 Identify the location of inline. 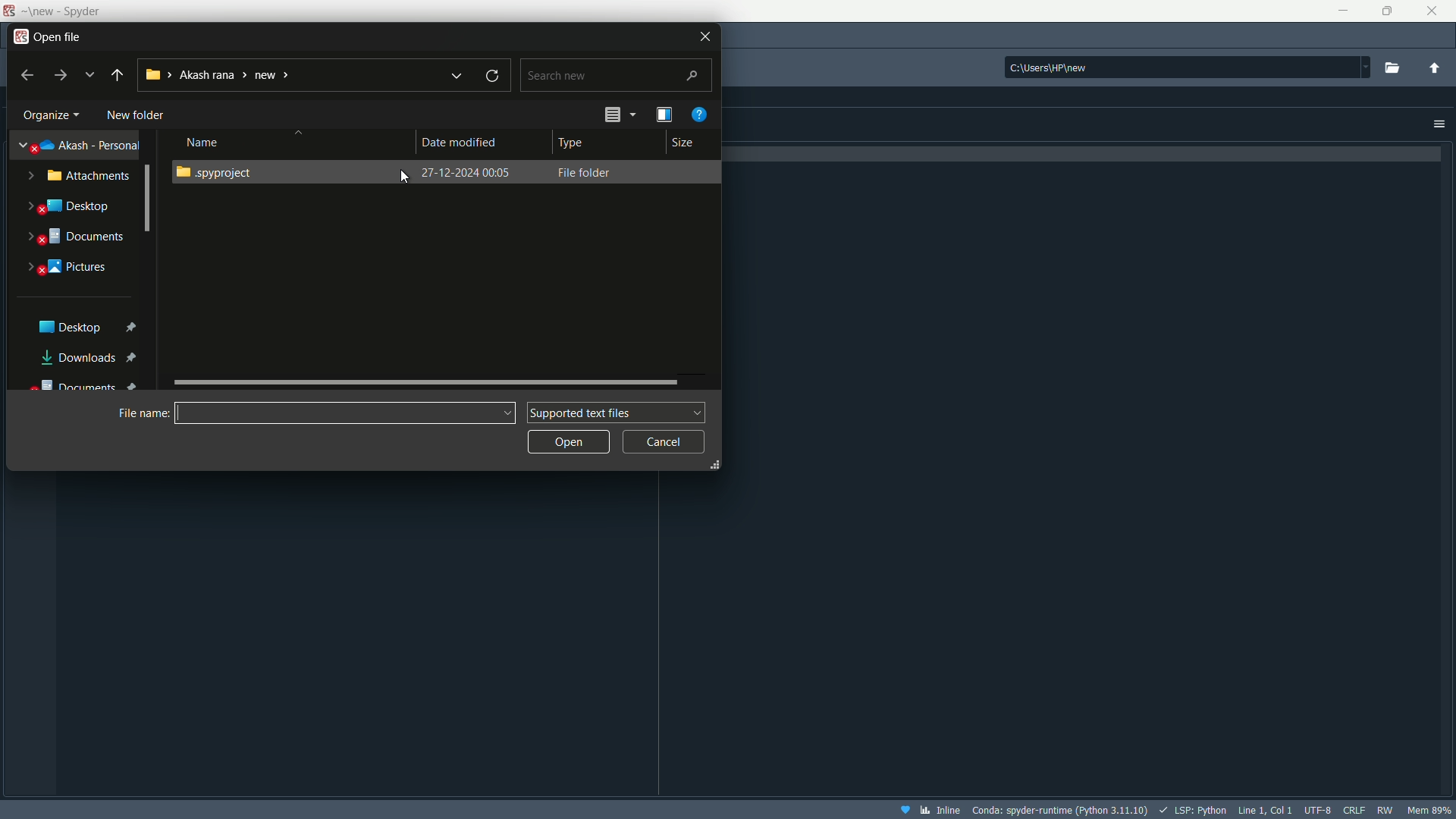
(929, 811).